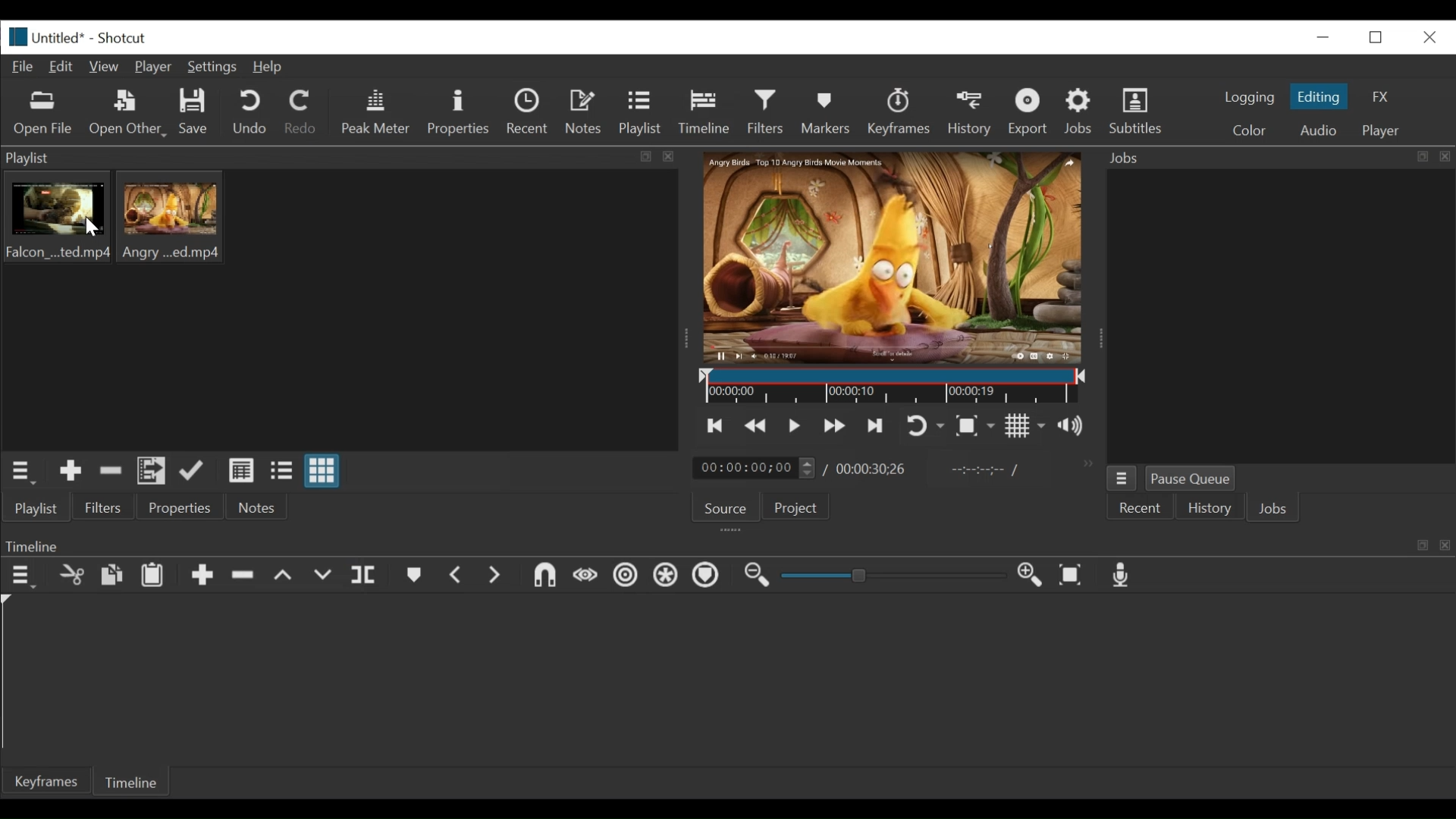 Image resolution: width=1456 pixels, height=819 pixels. I want to click on keyframes, so click(900, 114).